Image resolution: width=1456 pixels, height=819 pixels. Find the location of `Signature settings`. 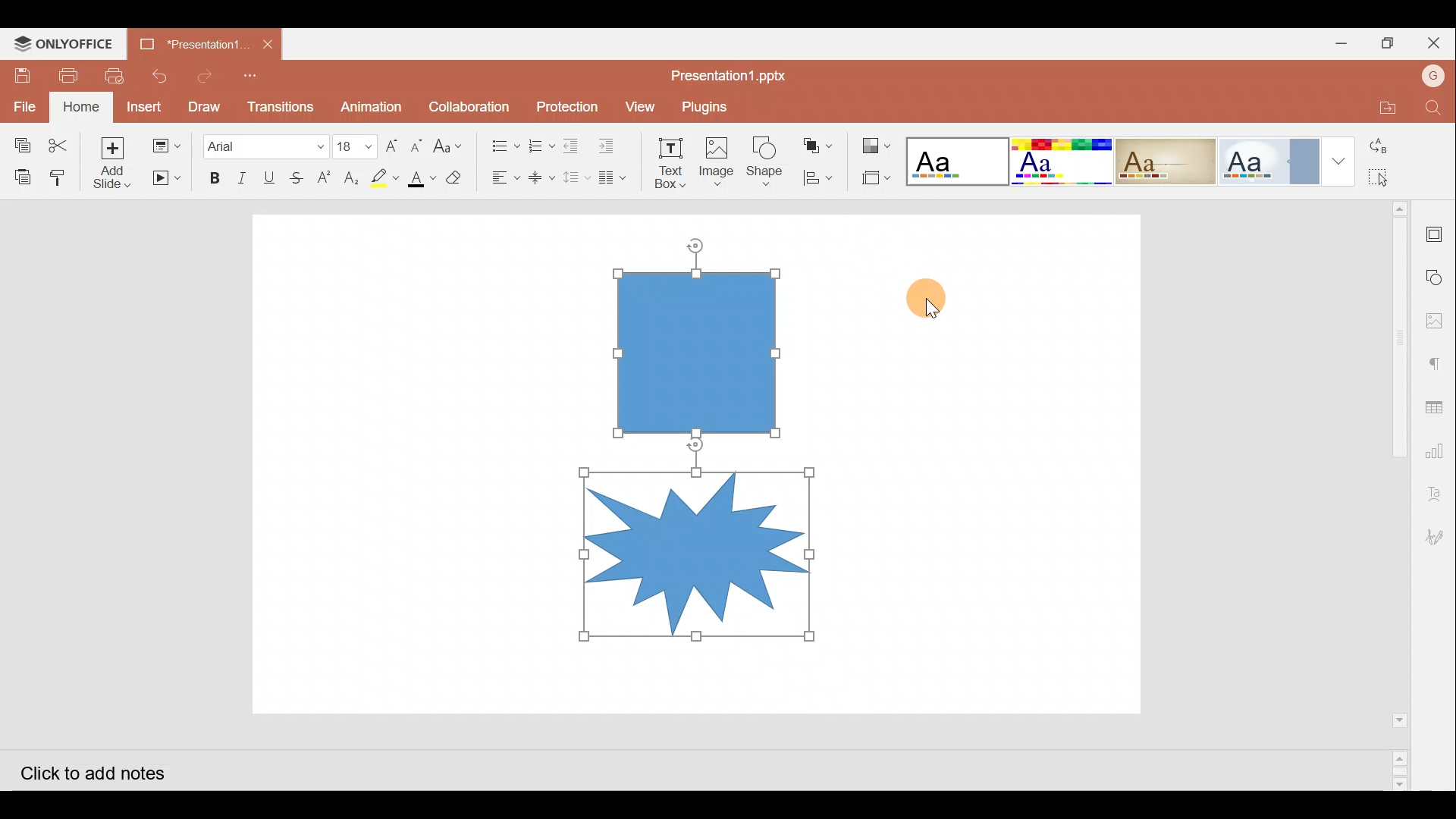

Signature settings is located at coordinates (1439, 536).